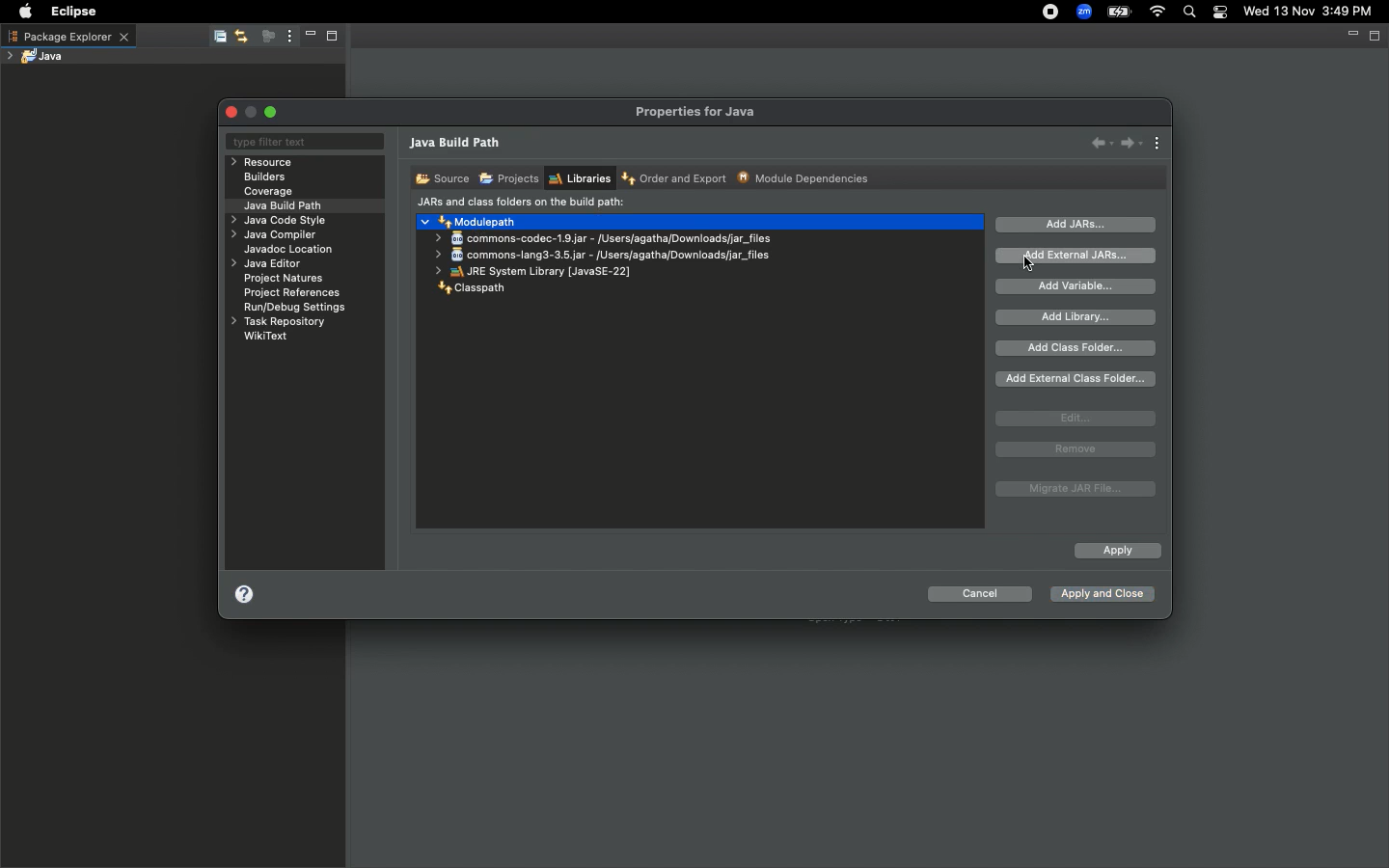 The height and width of the screenshot is (868, 1389). I want to click on commons-codec-1.9.jar - /users/agatha/Downloads/jar_files commons-lang3-3.5.jar - /Users/agatha/Downloads/jar_files JRE System Library [JavaSE-22], so click(600, 255).